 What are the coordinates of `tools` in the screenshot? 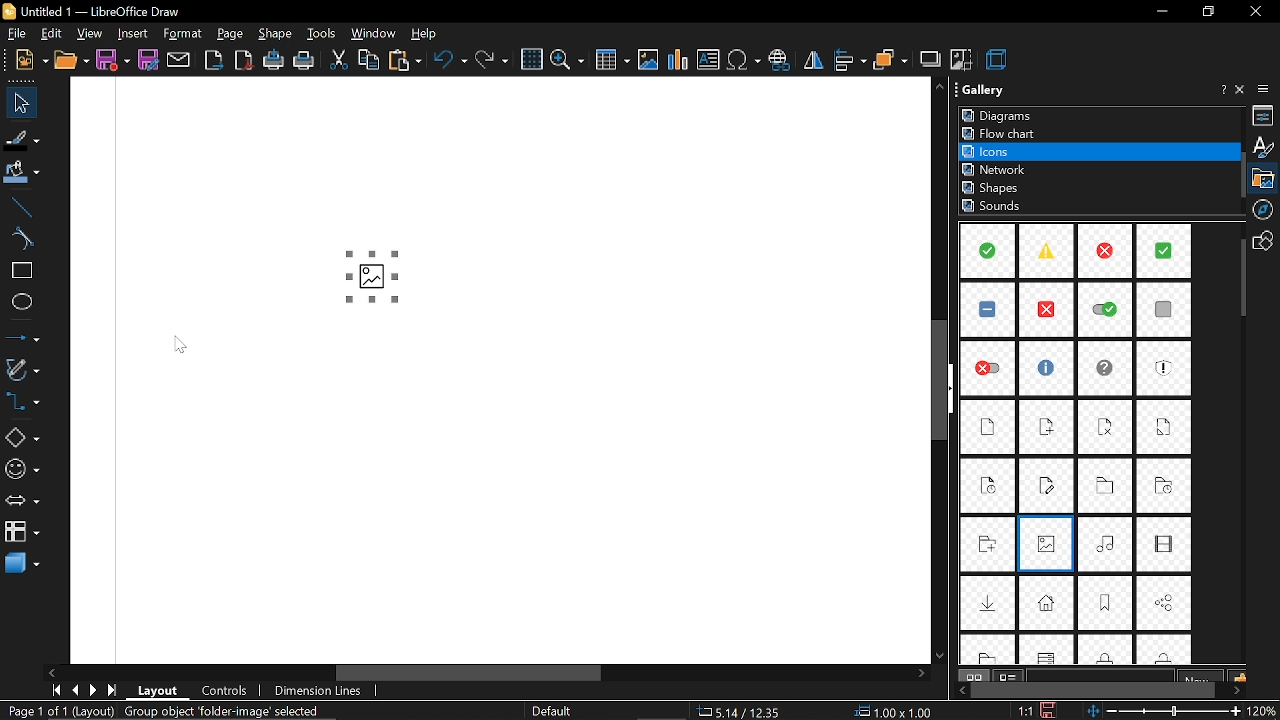 It's located at (322, 34).